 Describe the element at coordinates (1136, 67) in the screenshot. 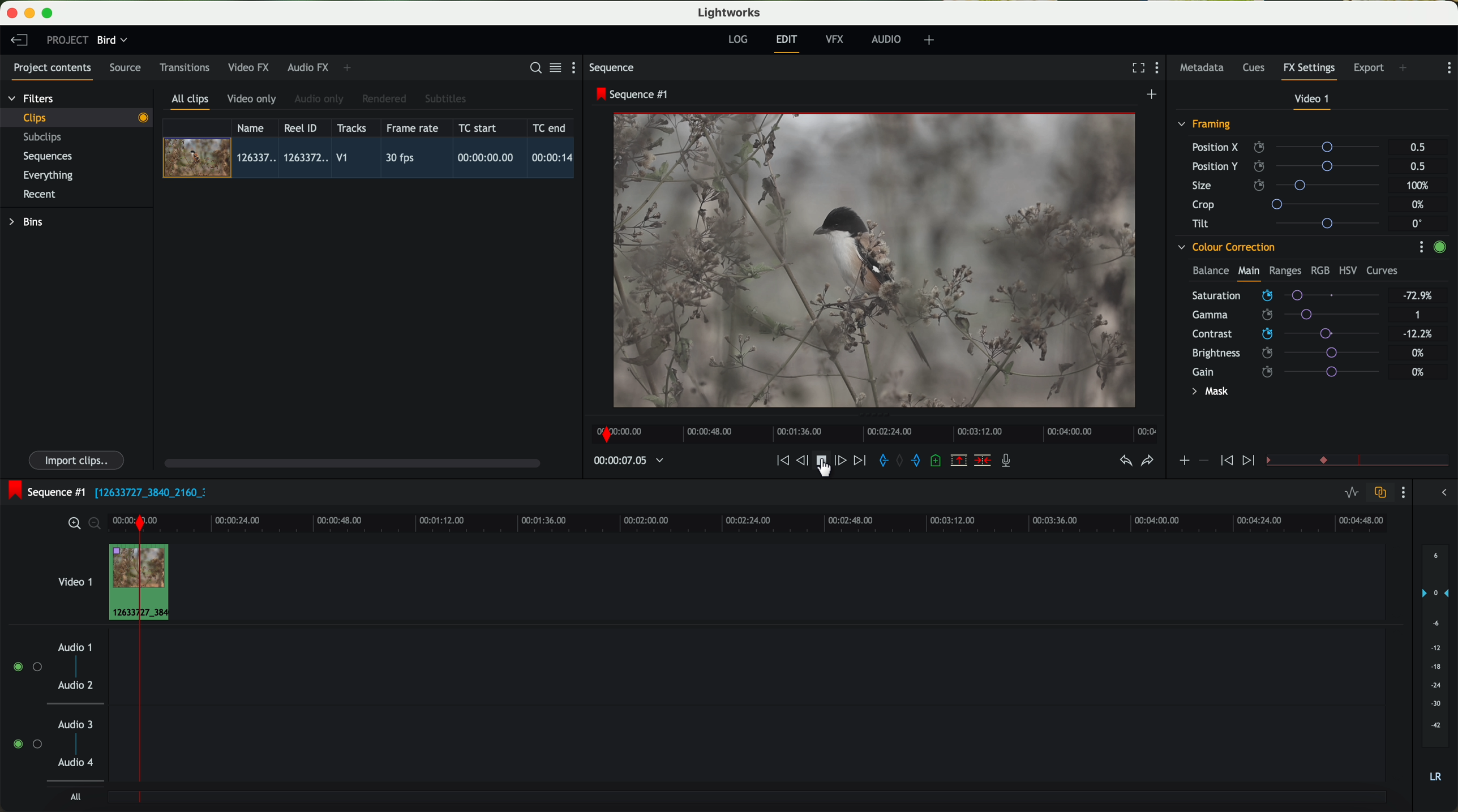

I see `fullscreen` at that location.